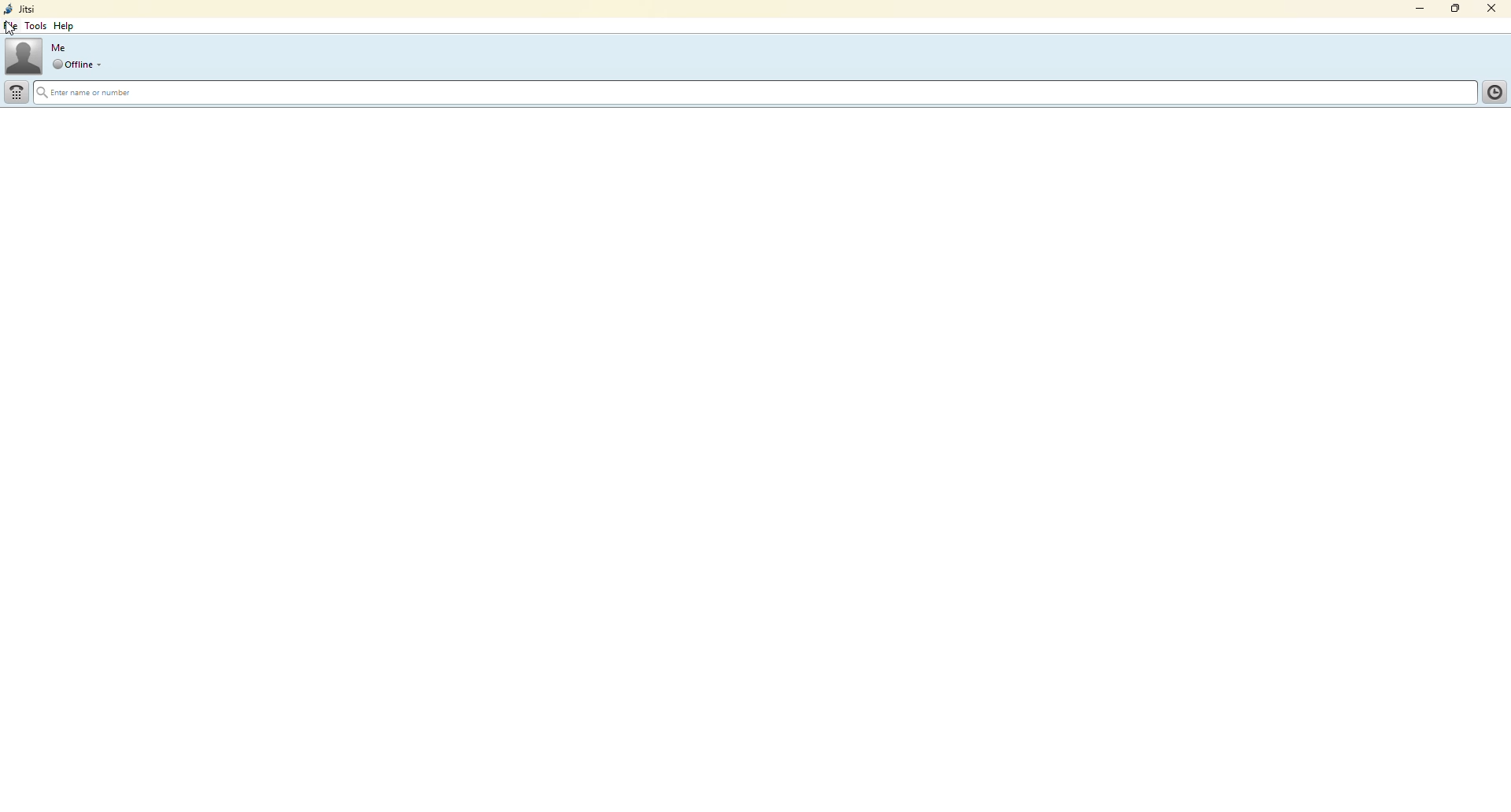 This screenshot has height=812, width=1511. What do you see at coordinates (17, 92) in the screenshot?
I see `dial pad` at bounding box center [17, 92].